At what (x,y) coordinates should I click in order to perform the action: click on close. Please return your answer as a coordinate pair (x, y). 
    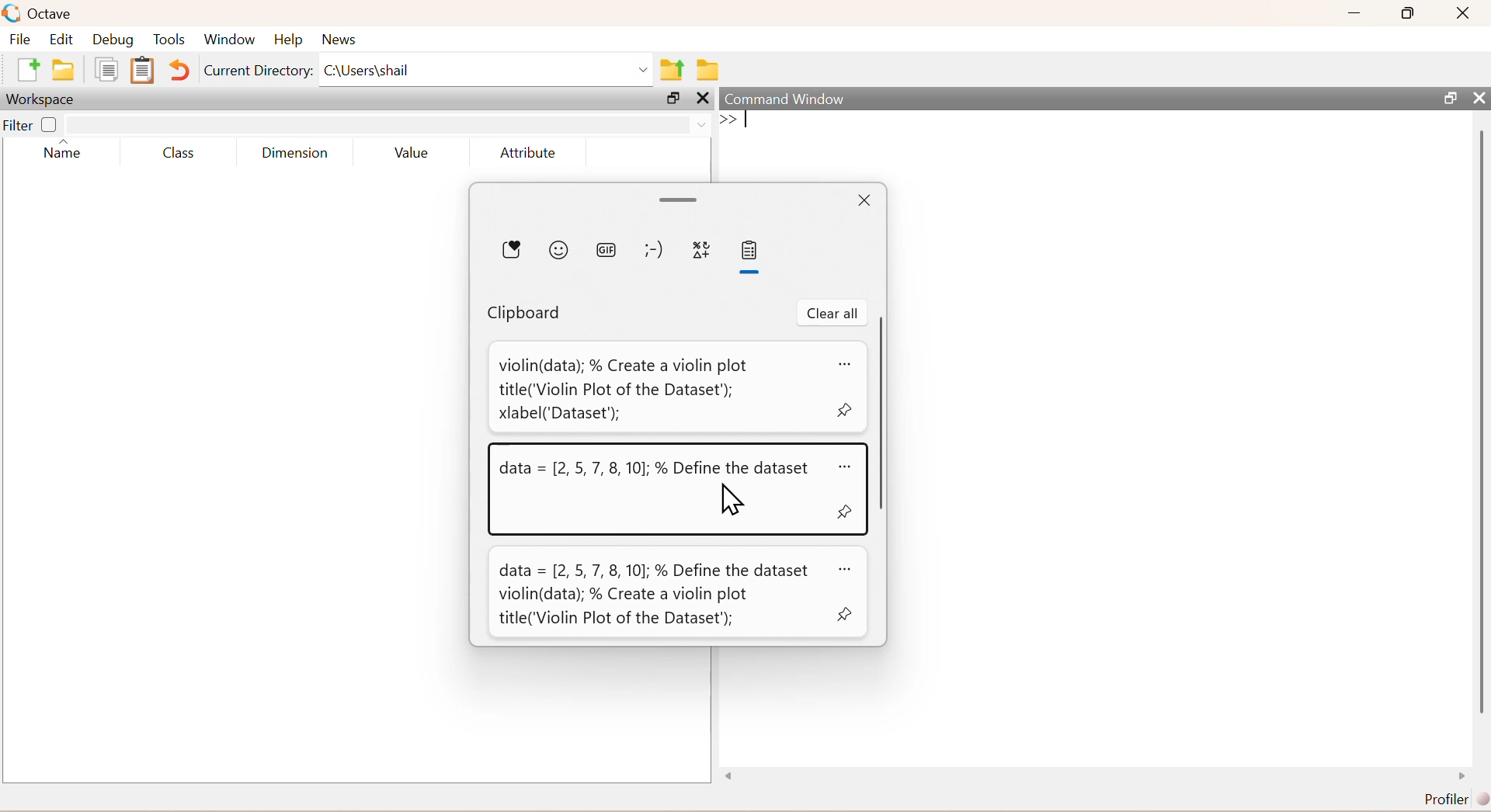
    Looking at the image, I should click on (1479, 98).